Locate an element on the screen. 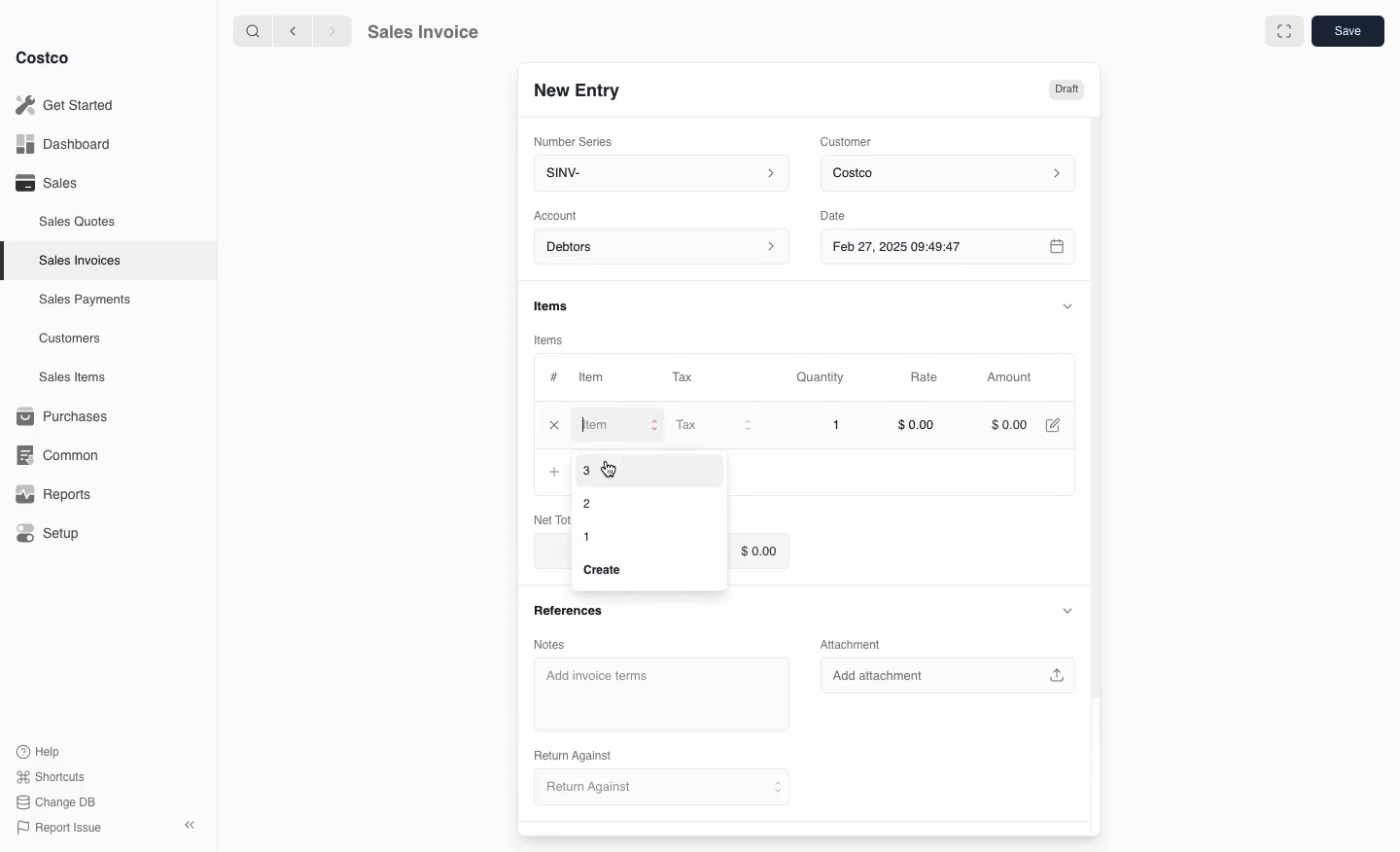  3 is located at coordinates (587, 471).